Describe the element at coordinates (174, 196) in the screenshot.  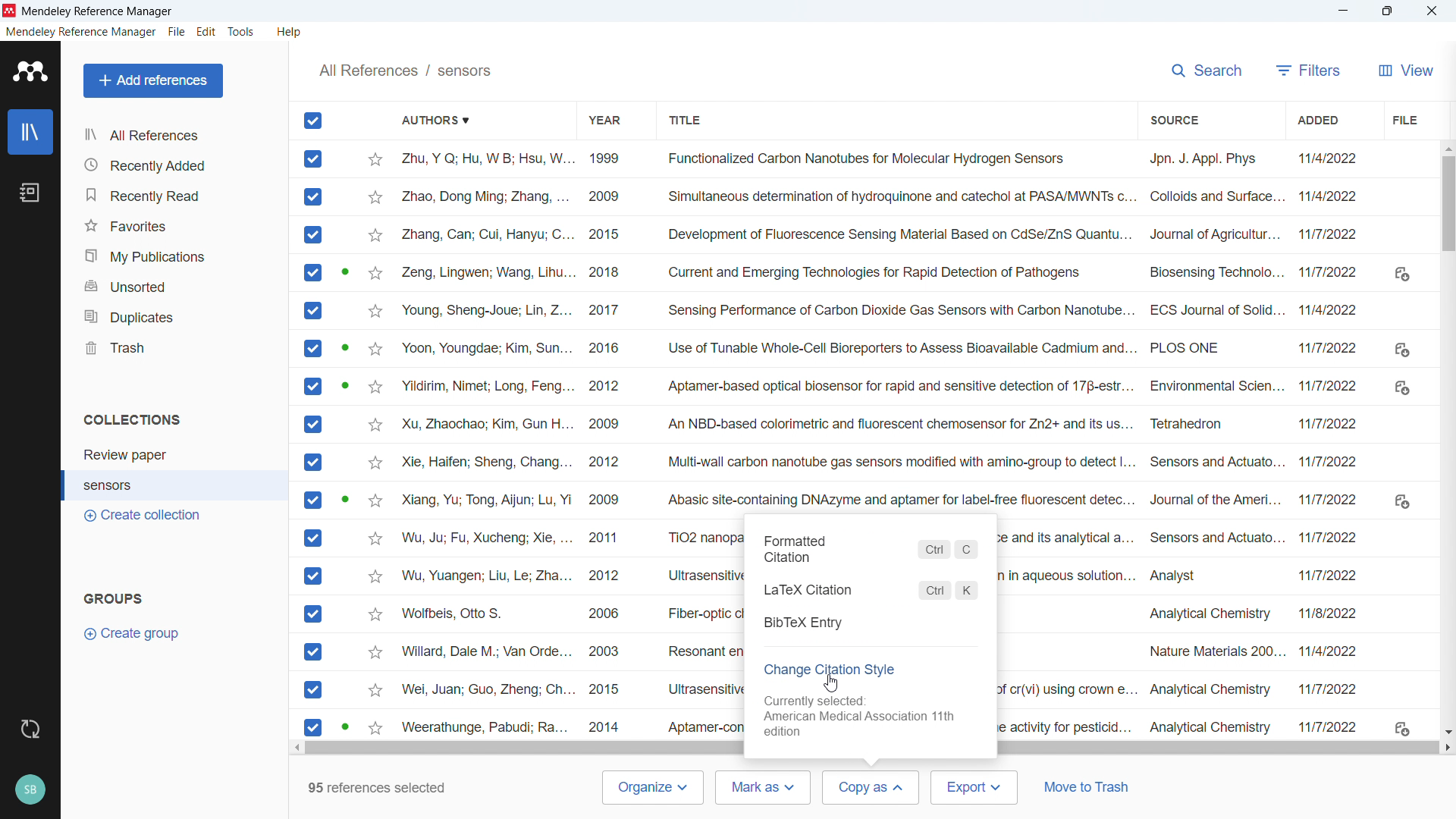
I see `recently read` at that location.